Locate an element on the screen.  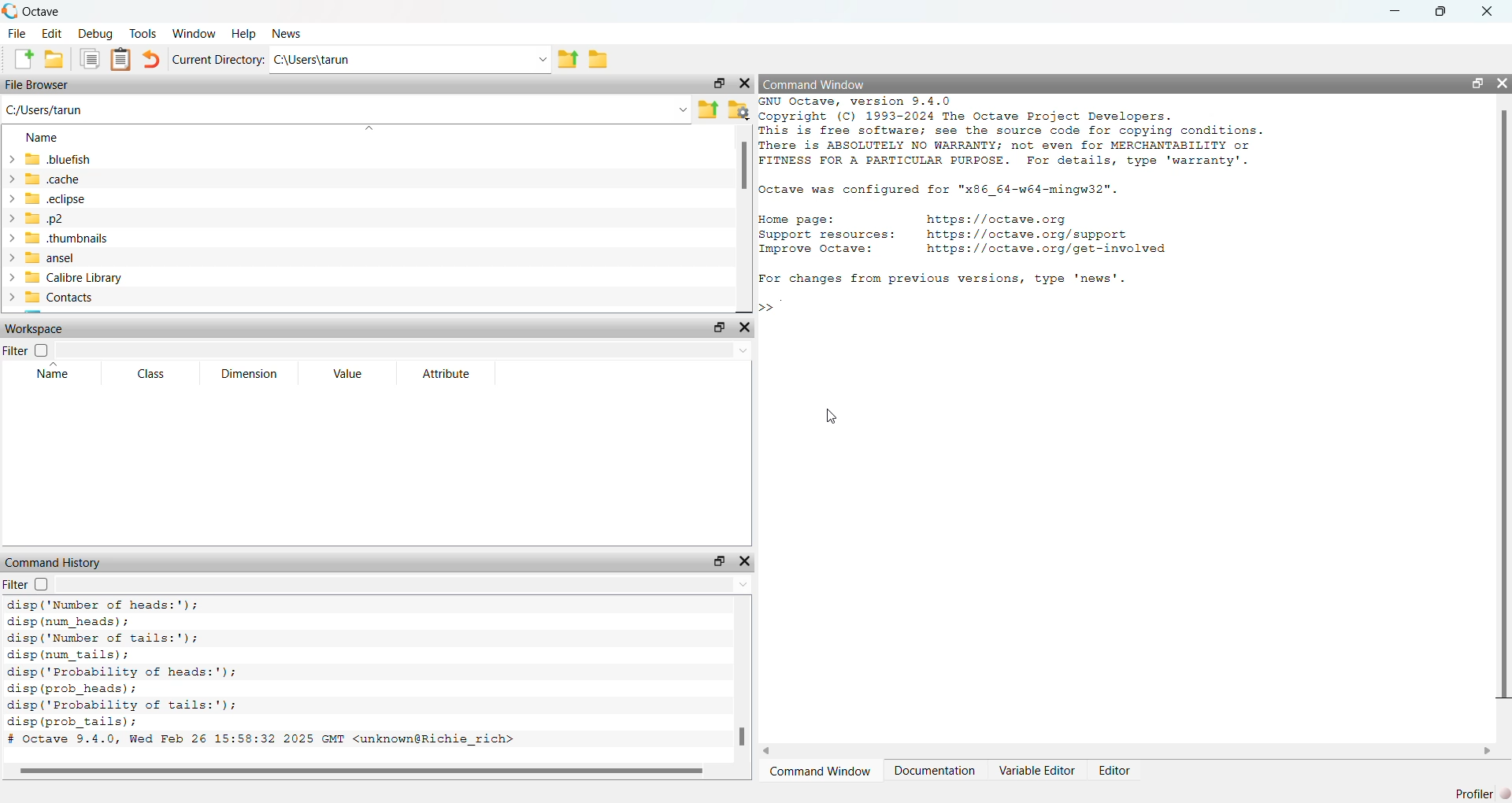
Tools is located at coordinates (143, 33).